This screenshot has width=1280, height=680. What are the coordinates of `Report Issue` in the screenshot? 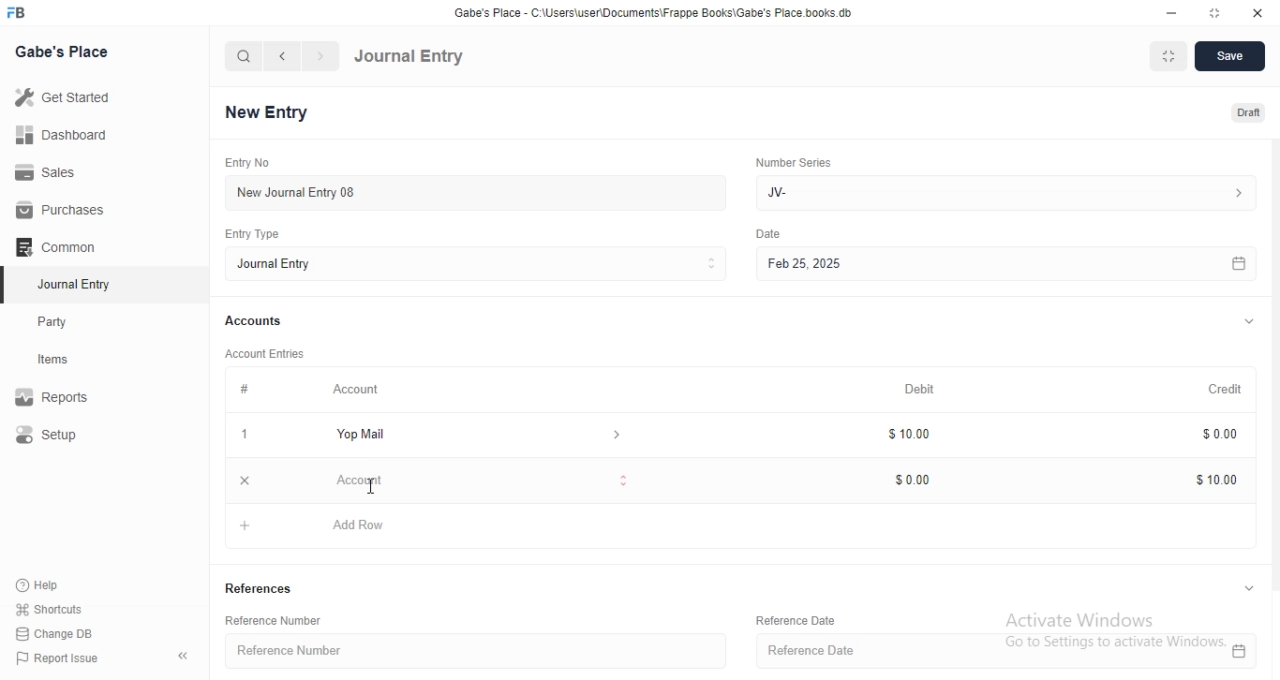 It's located at (67, 658).